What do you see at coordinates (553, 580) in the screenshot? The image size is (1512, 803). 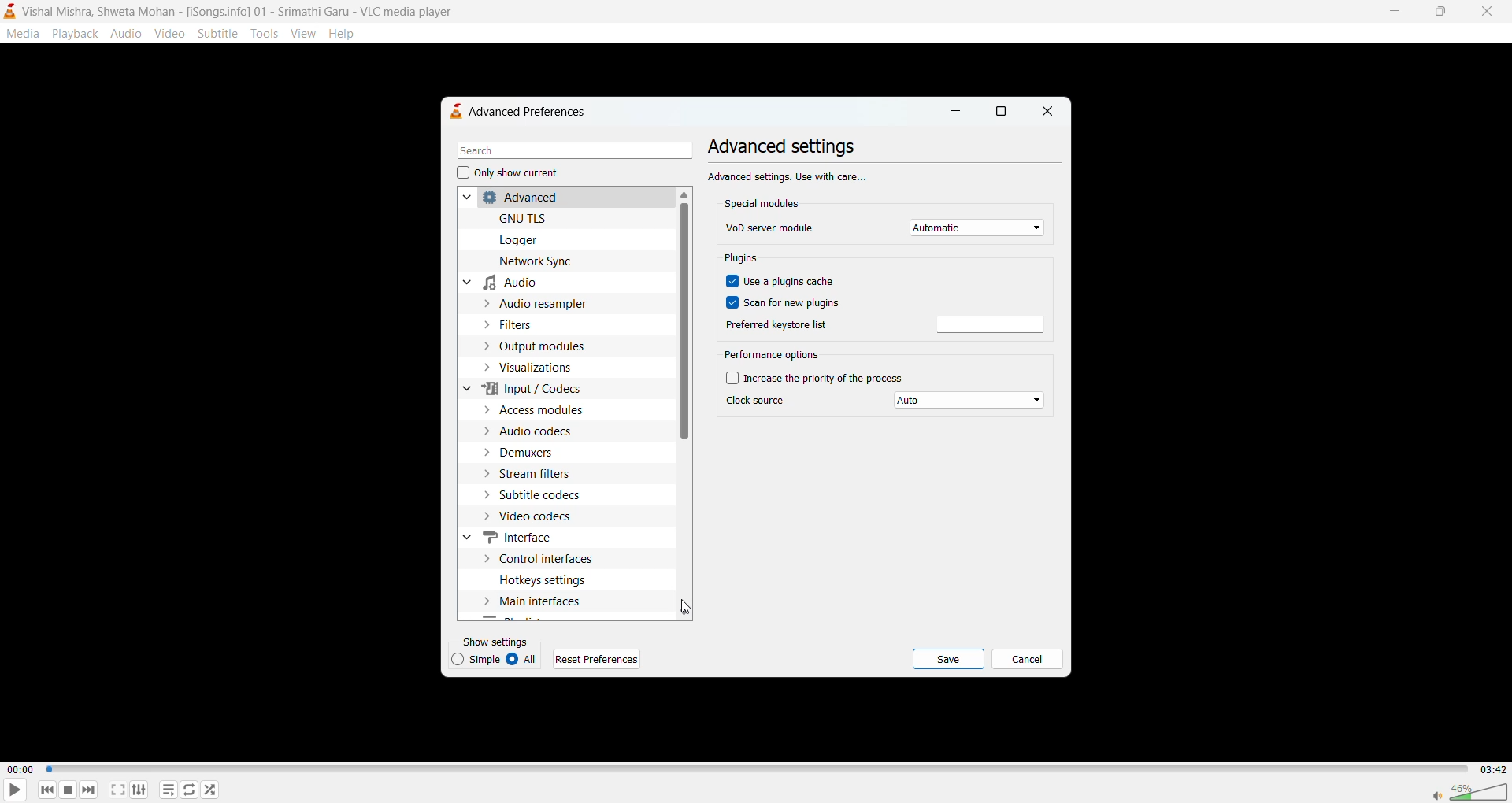 I see `hotkeys settings` at bounding box center [553, 580].